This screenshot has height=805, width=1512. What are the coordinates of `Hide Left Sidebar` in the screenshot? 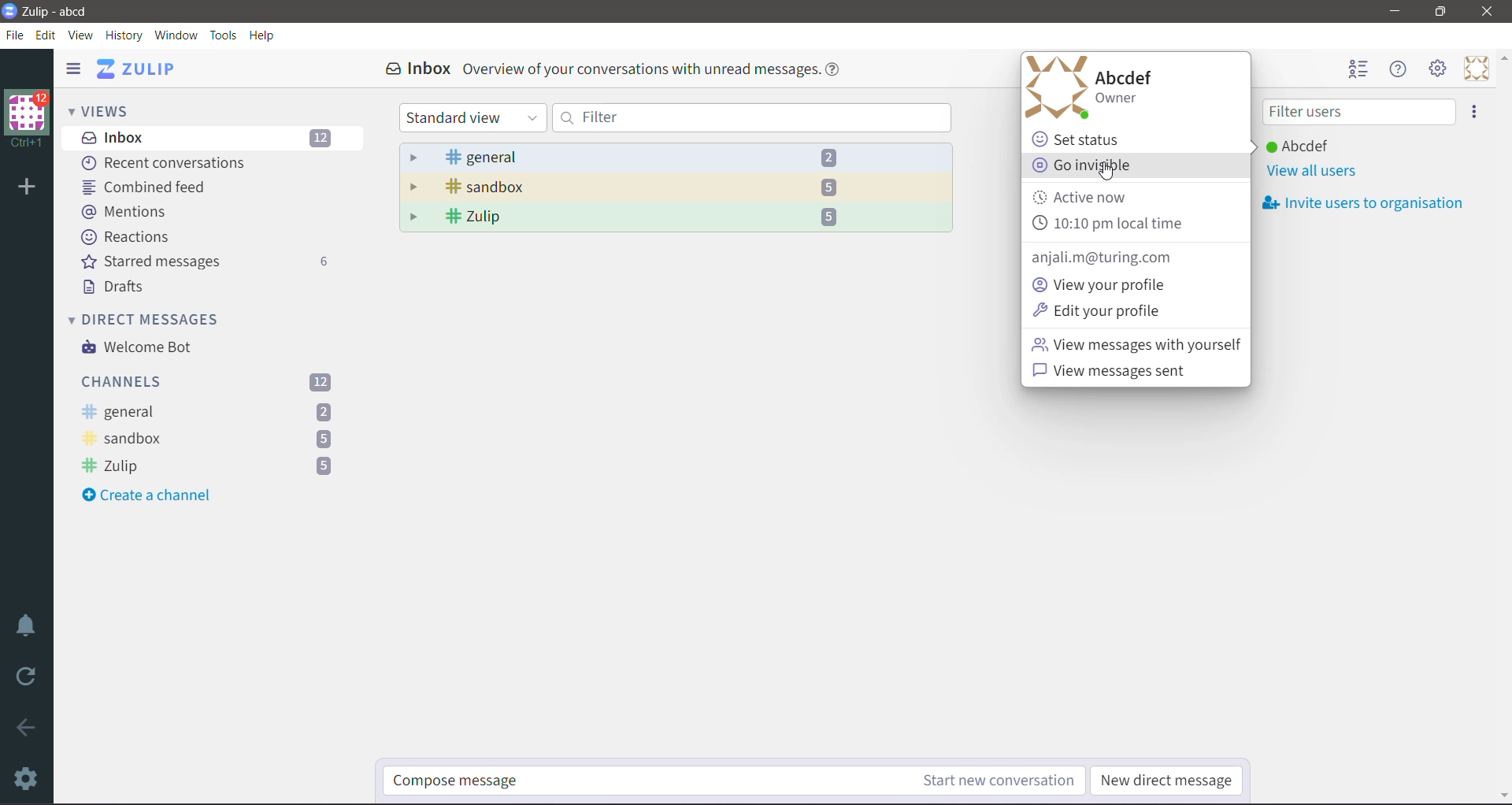 It's located at (73, 69).